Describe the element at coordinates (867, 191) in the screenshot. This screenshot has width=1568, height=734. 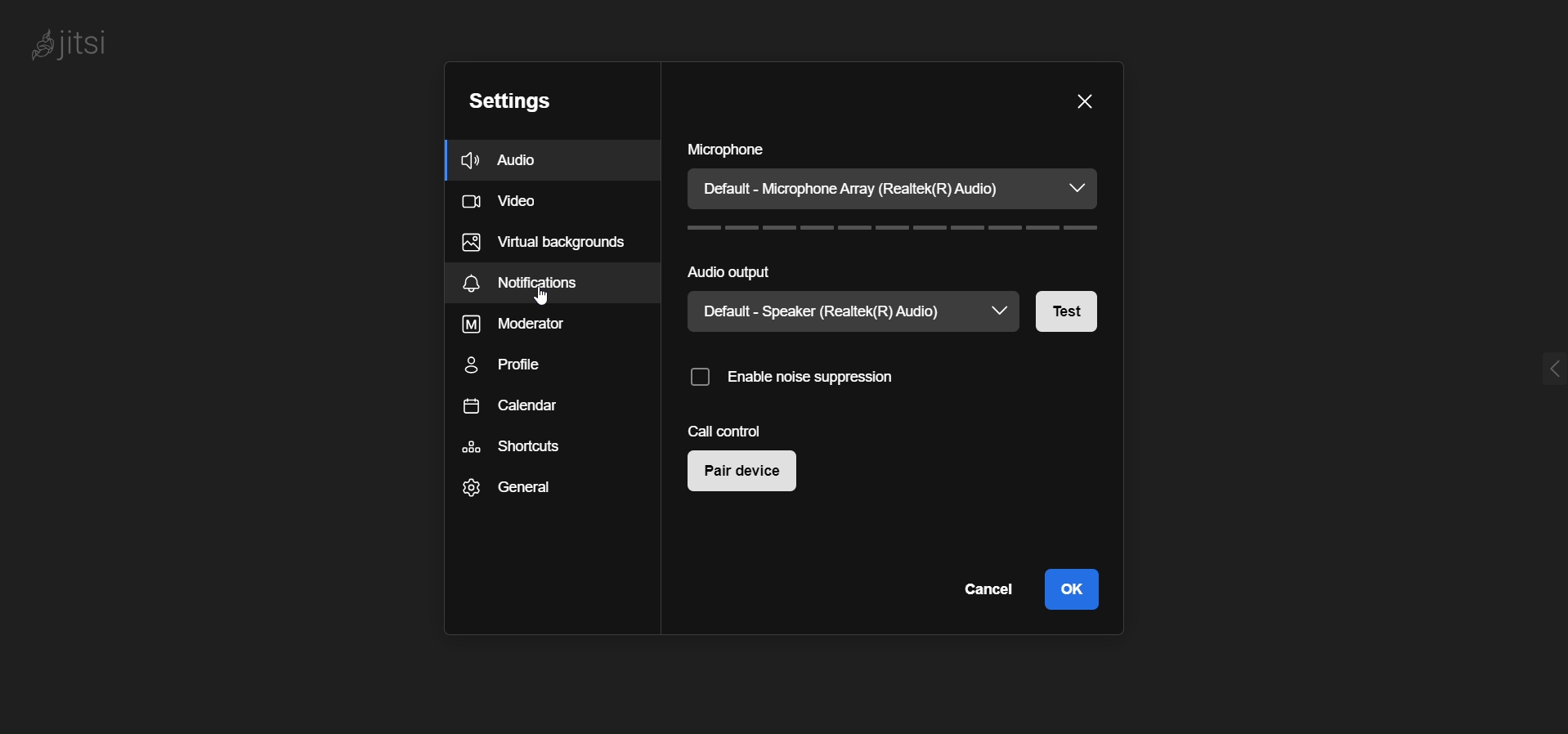
I see `current microphone` at that location.